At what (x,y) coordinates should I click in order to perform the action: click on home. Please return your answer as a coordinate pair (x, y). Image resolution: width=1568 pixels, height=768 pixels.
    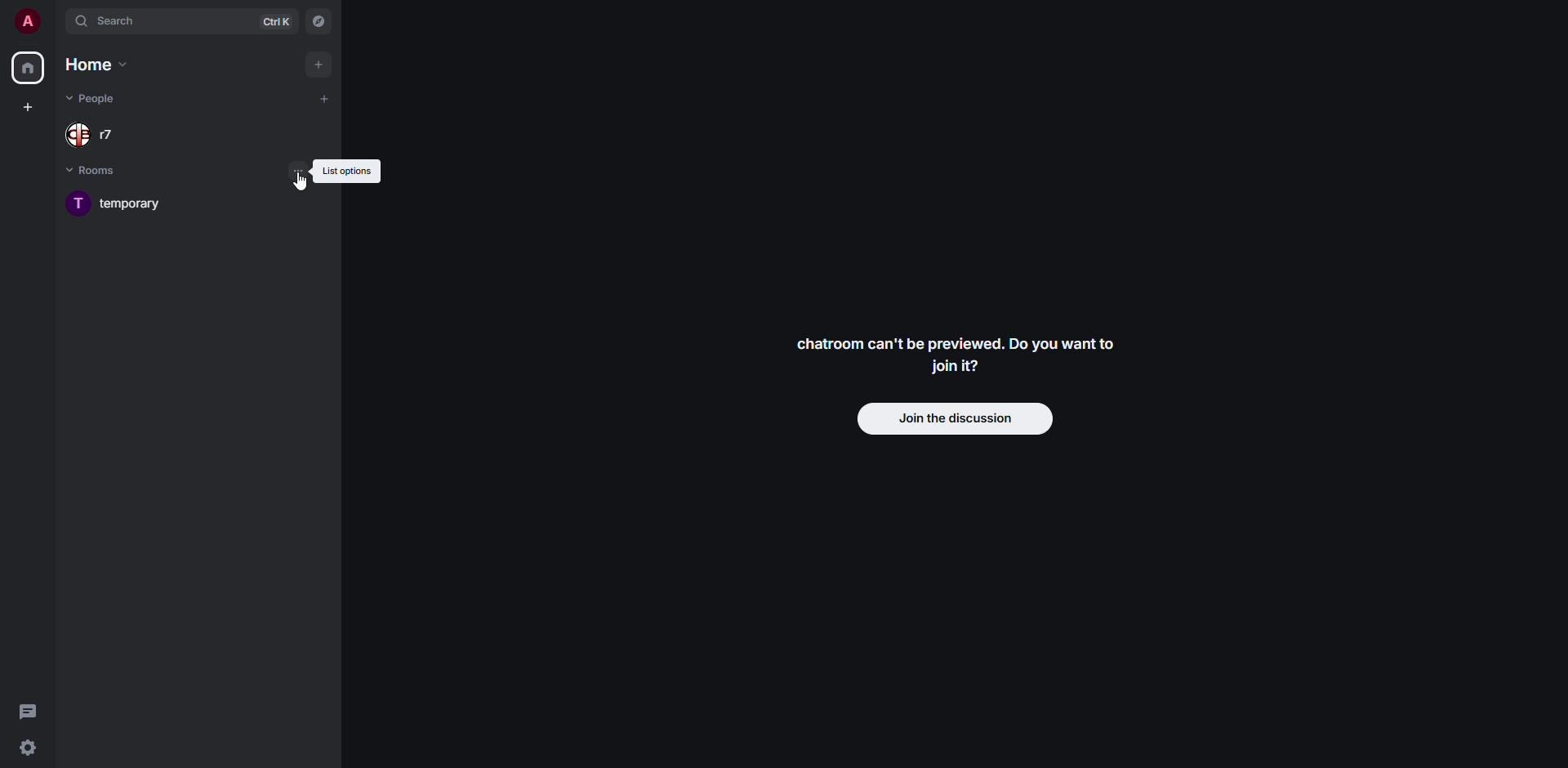
    Looking at the image, I should click on (27, 69).